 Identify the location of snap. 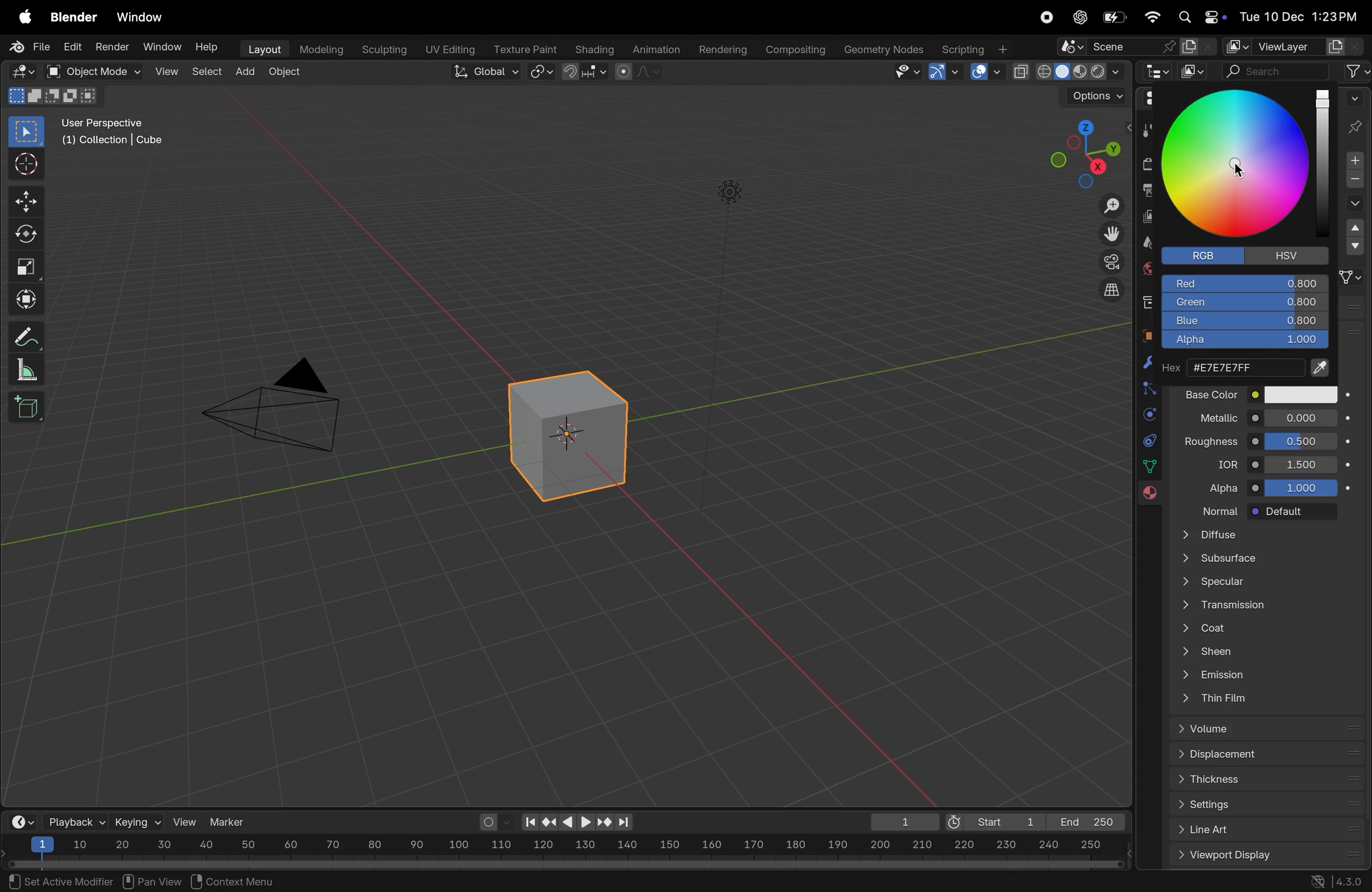
(542, 73).